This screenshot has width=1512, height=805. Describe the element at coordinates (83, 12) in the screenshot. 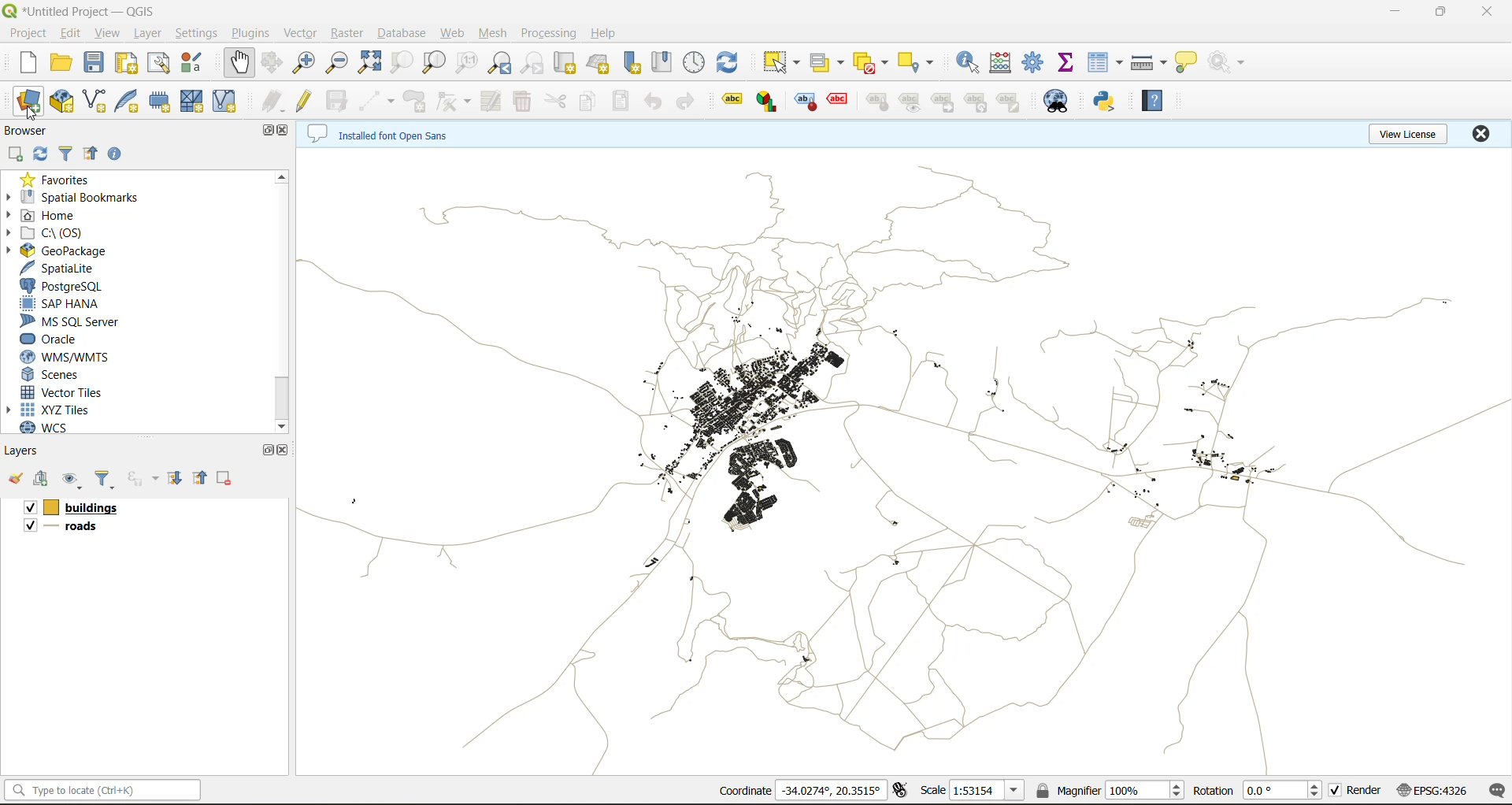

I see `file name and app name` at that location.